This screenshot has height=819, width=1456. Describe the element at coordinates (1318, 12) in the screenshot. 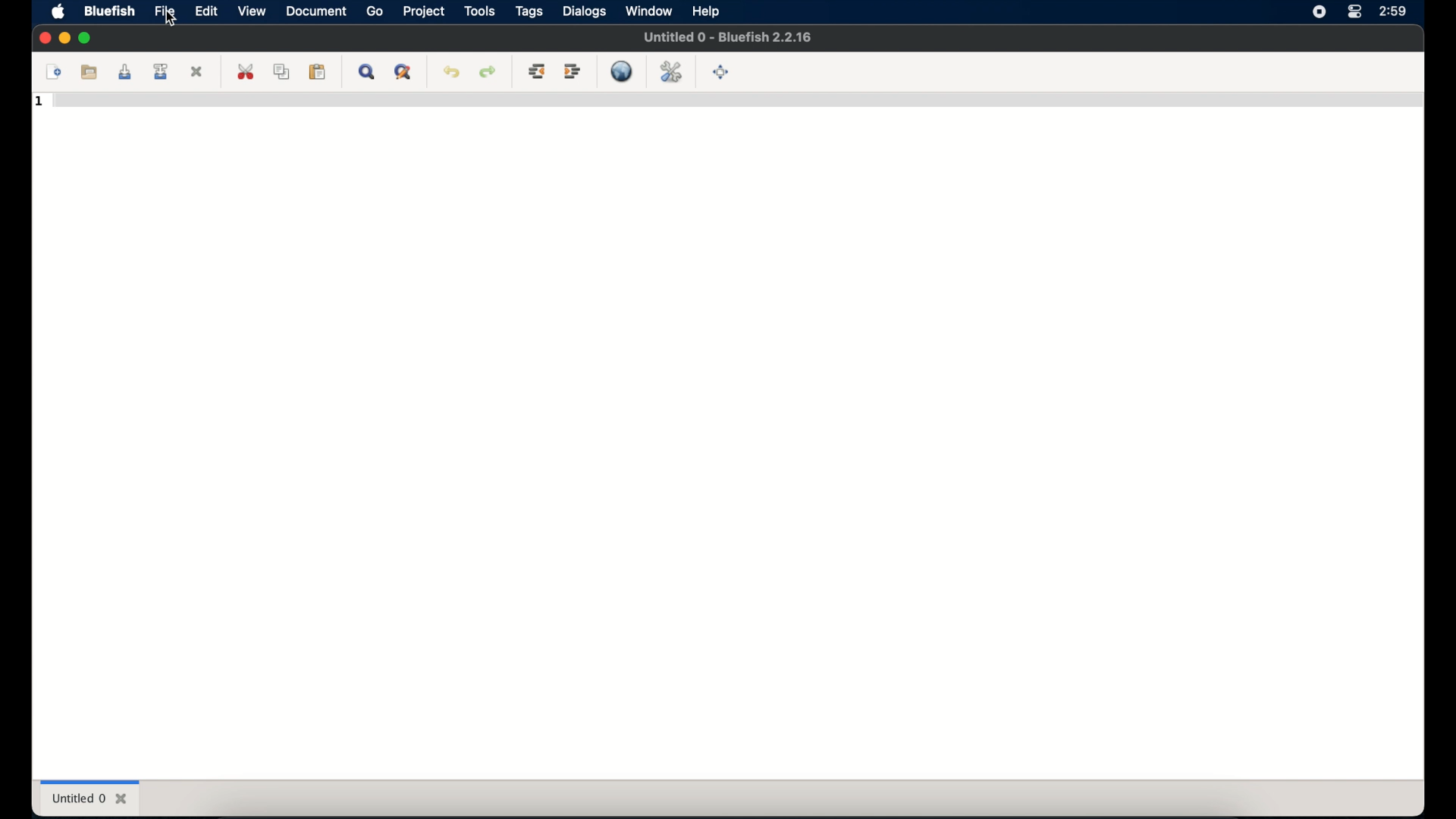

I see `screen recorder icon` at that location.